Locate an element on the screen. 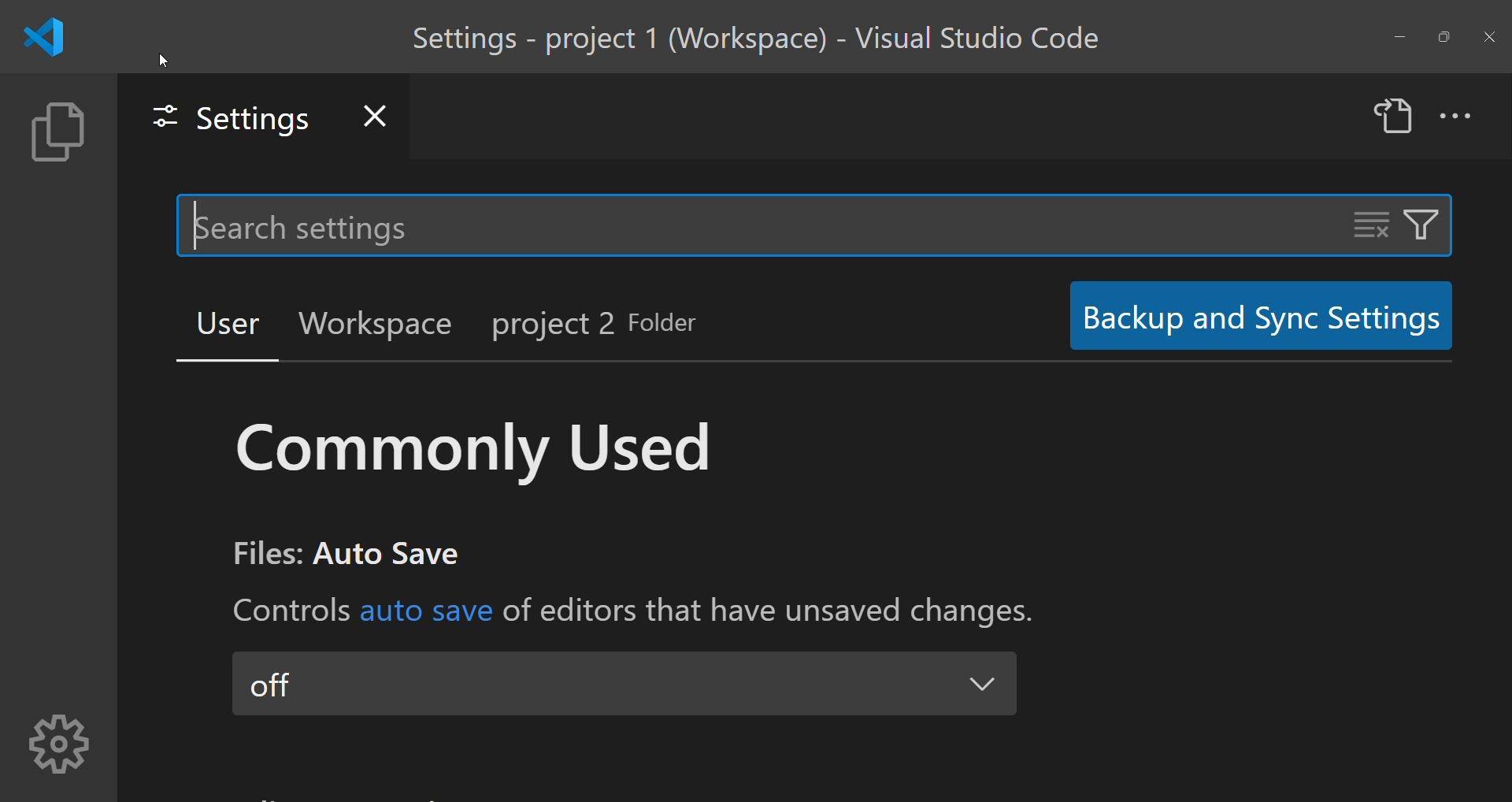 Image resolution: width=1512 pixels, height=802 pixels. explorer is located at coordinates (54, 134).